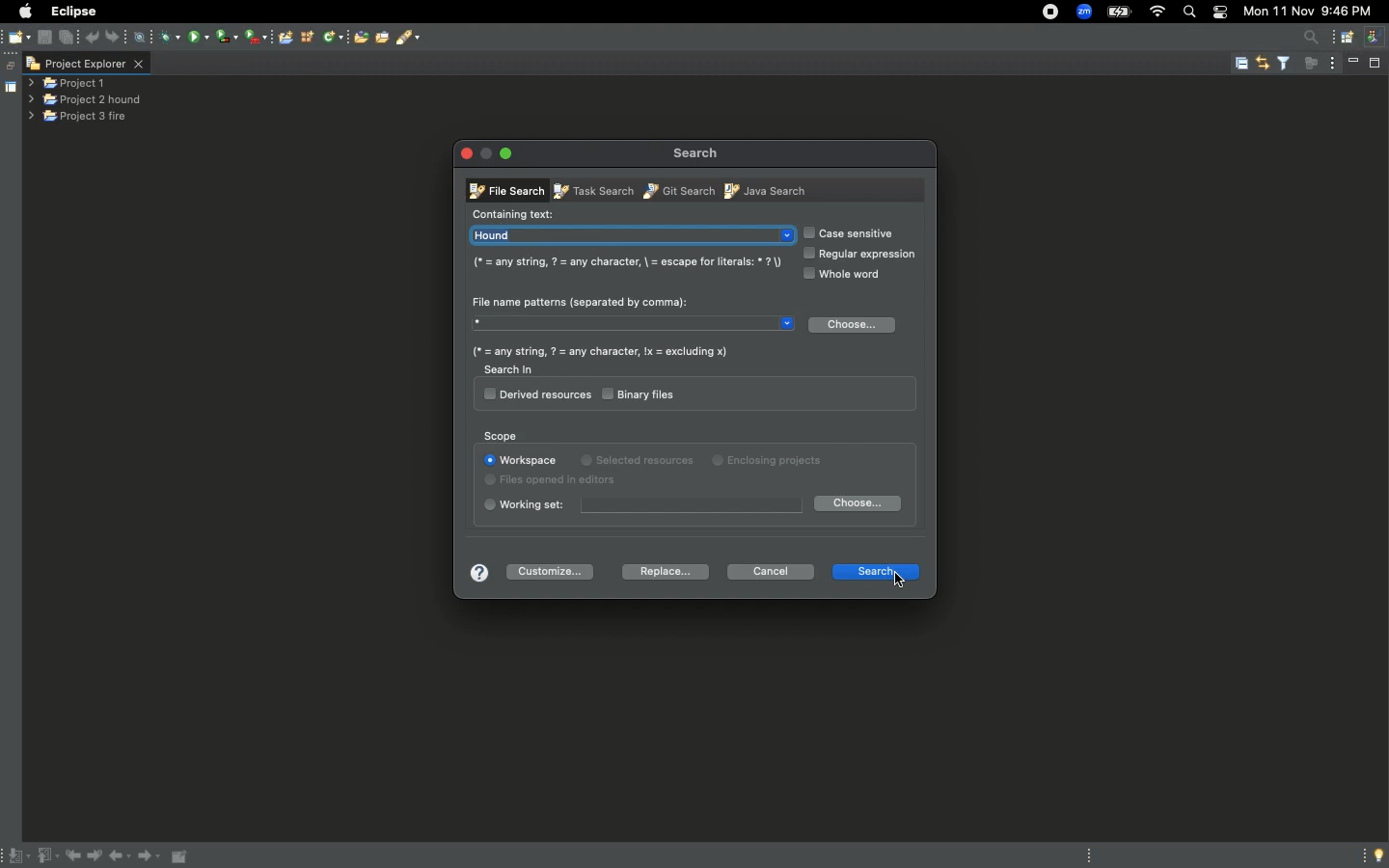 The height and width of the screenshot is (868, 1389). Describe the element at coordinates (589, 190) in the screenshot. I see `Task search` at that location.